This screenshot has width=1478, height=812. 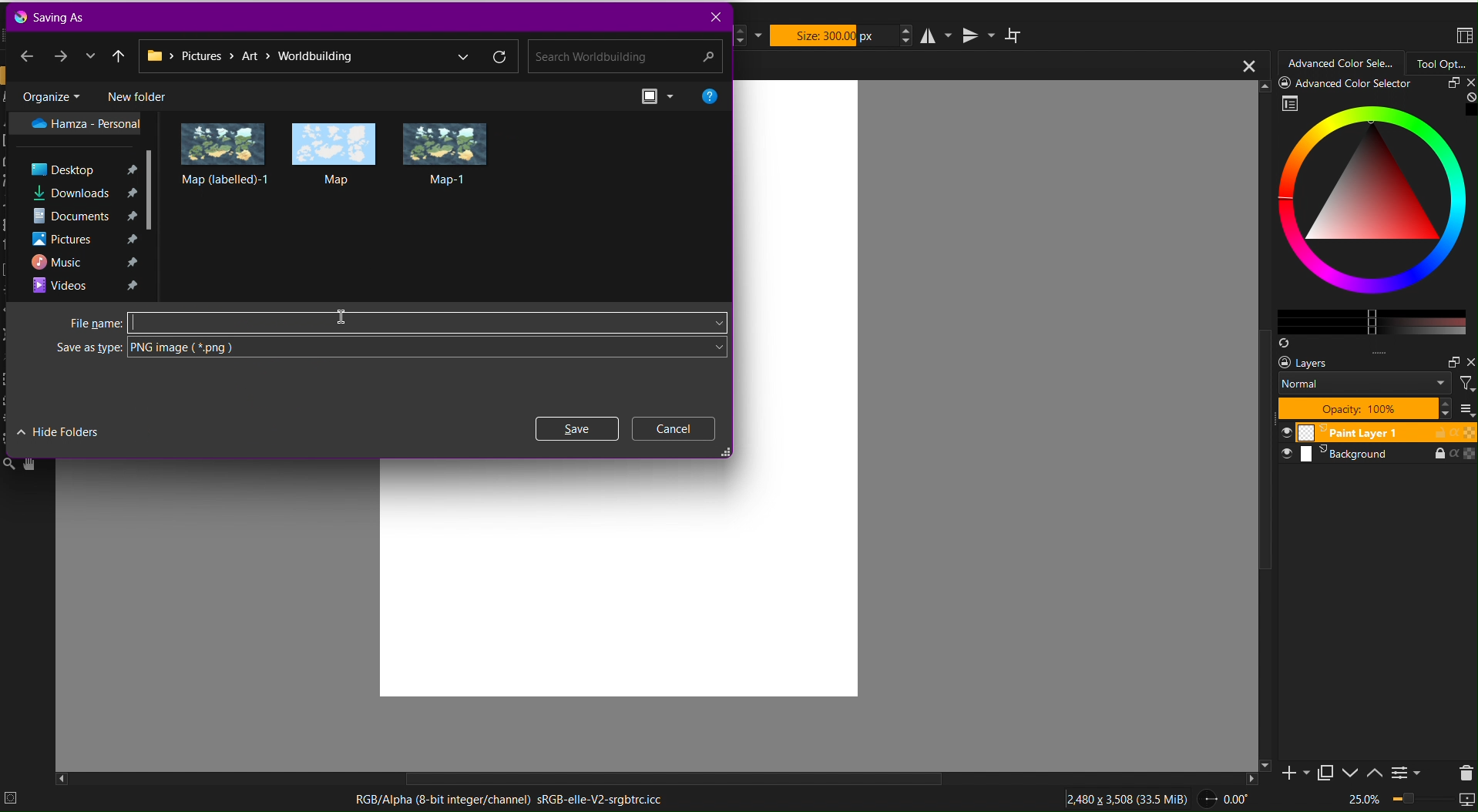 I want to click on Size, so click(x=834, y=35).